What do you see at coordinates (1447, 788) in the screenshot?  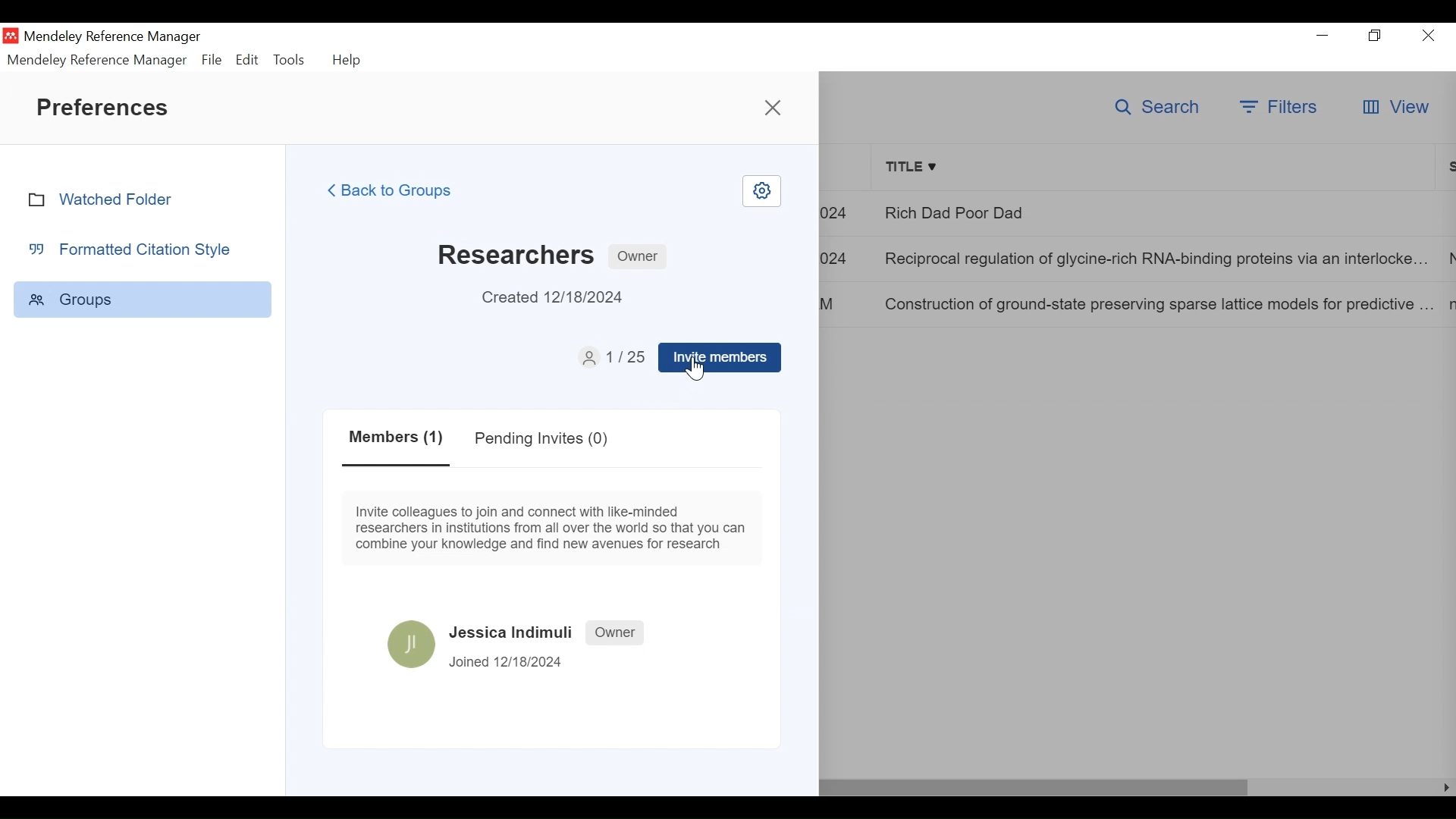 I see `Scroll Left` at bounding box center [1447, 788].